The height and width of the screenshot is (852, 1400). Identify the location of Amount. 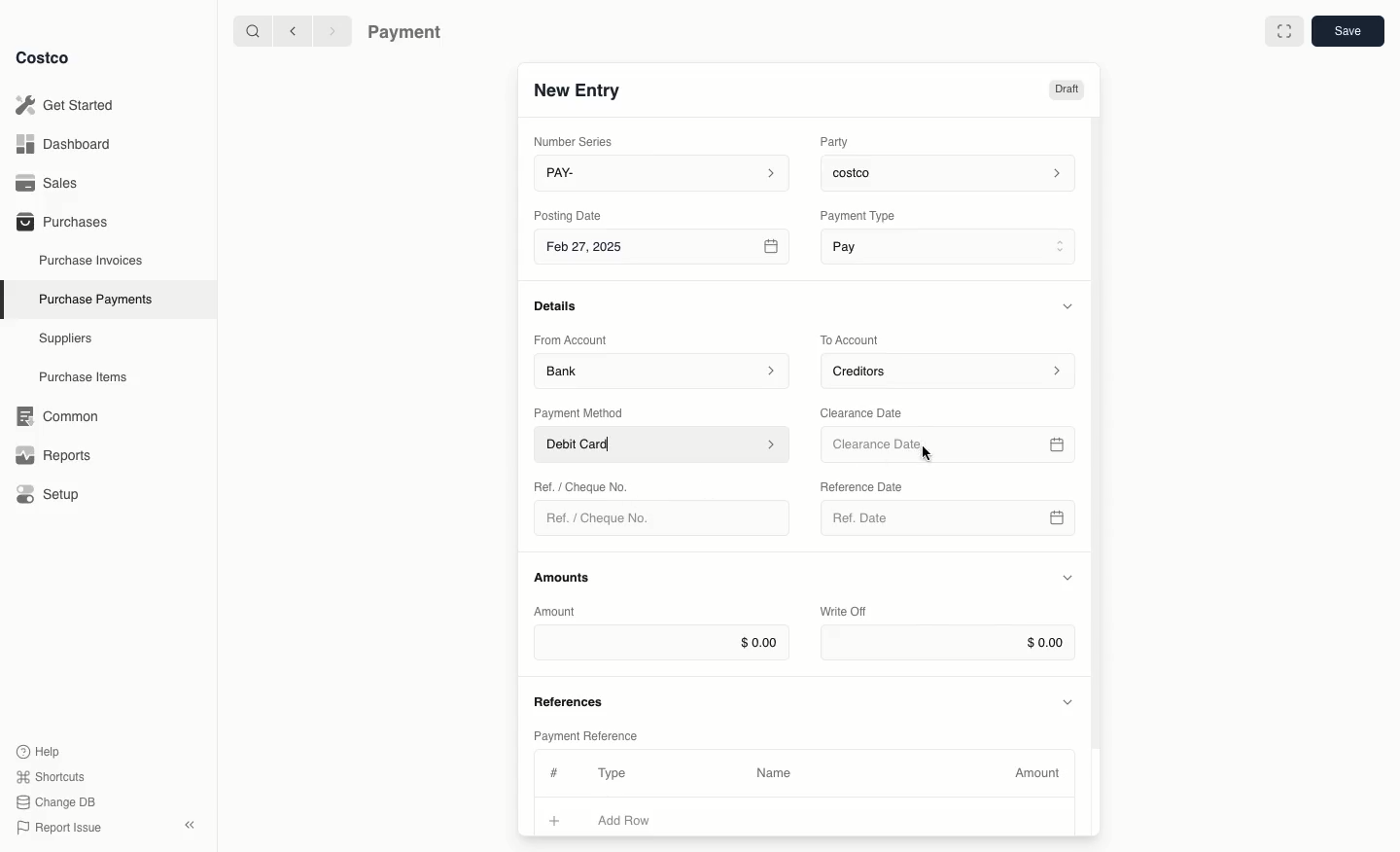
(558, 611).